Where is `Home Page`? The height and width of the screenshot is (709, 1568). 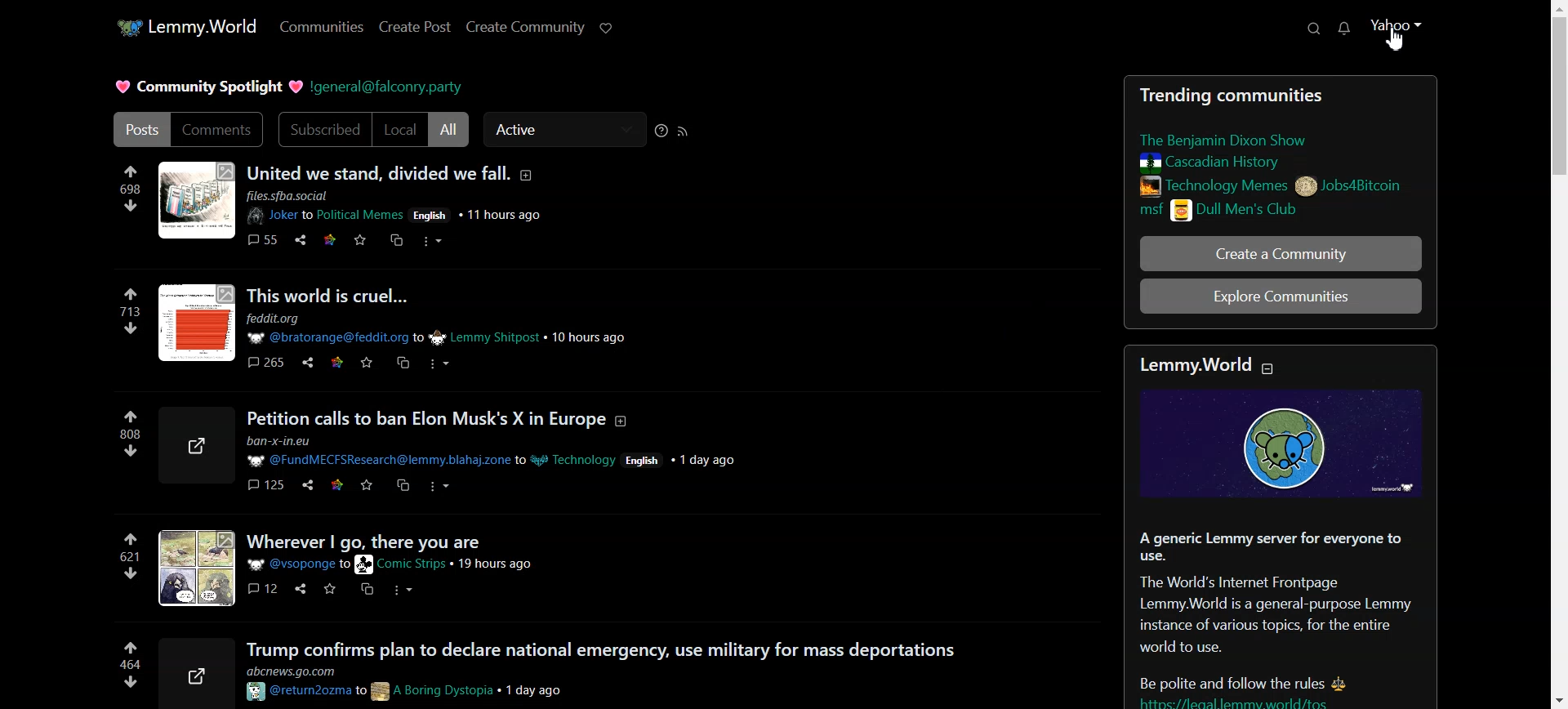
Home Page is located at coordinates (185, 27).